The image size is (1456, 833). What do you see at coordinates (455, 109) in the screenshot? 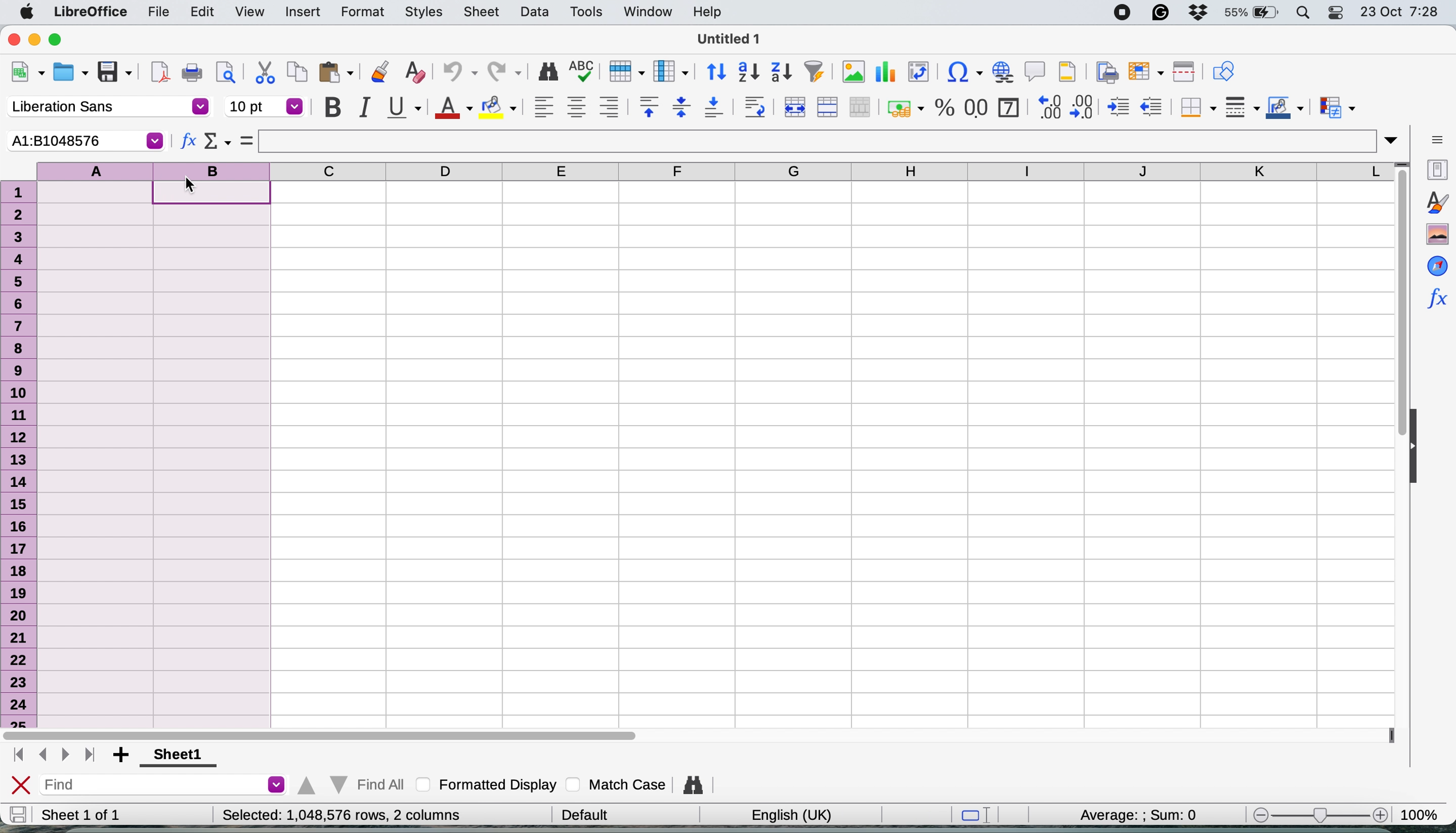
I see `text colour` at bounding box center [455, 109].